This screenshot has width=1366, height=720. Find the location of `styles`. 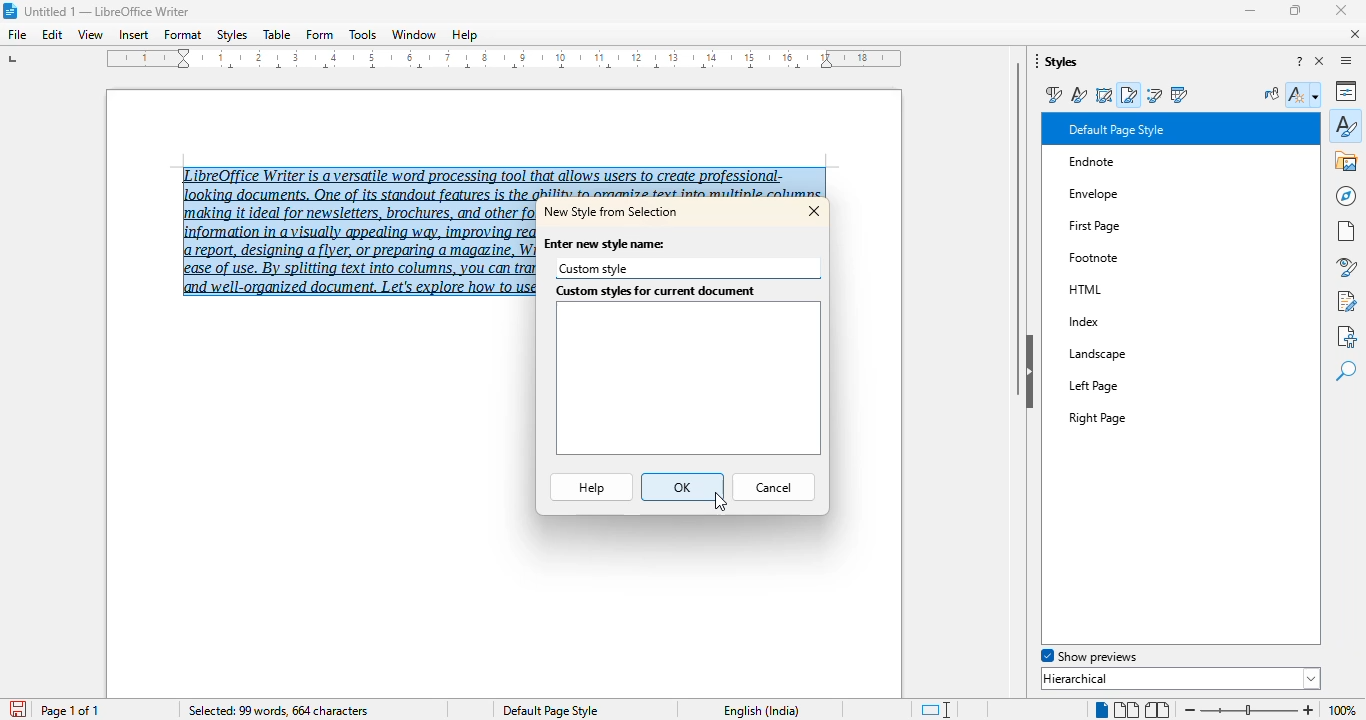

styles is located at coordinates (1346, 125).